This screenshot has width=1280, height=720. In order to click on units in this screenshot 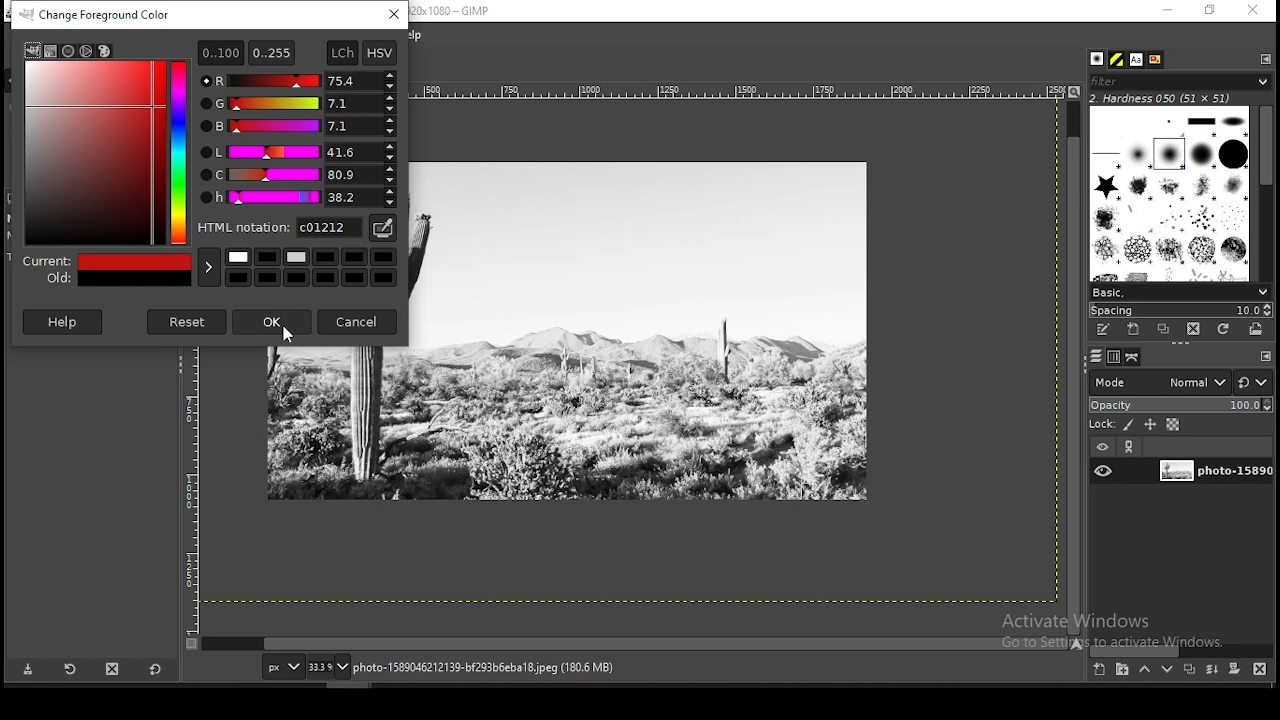, I will do `click(281, 665)`.